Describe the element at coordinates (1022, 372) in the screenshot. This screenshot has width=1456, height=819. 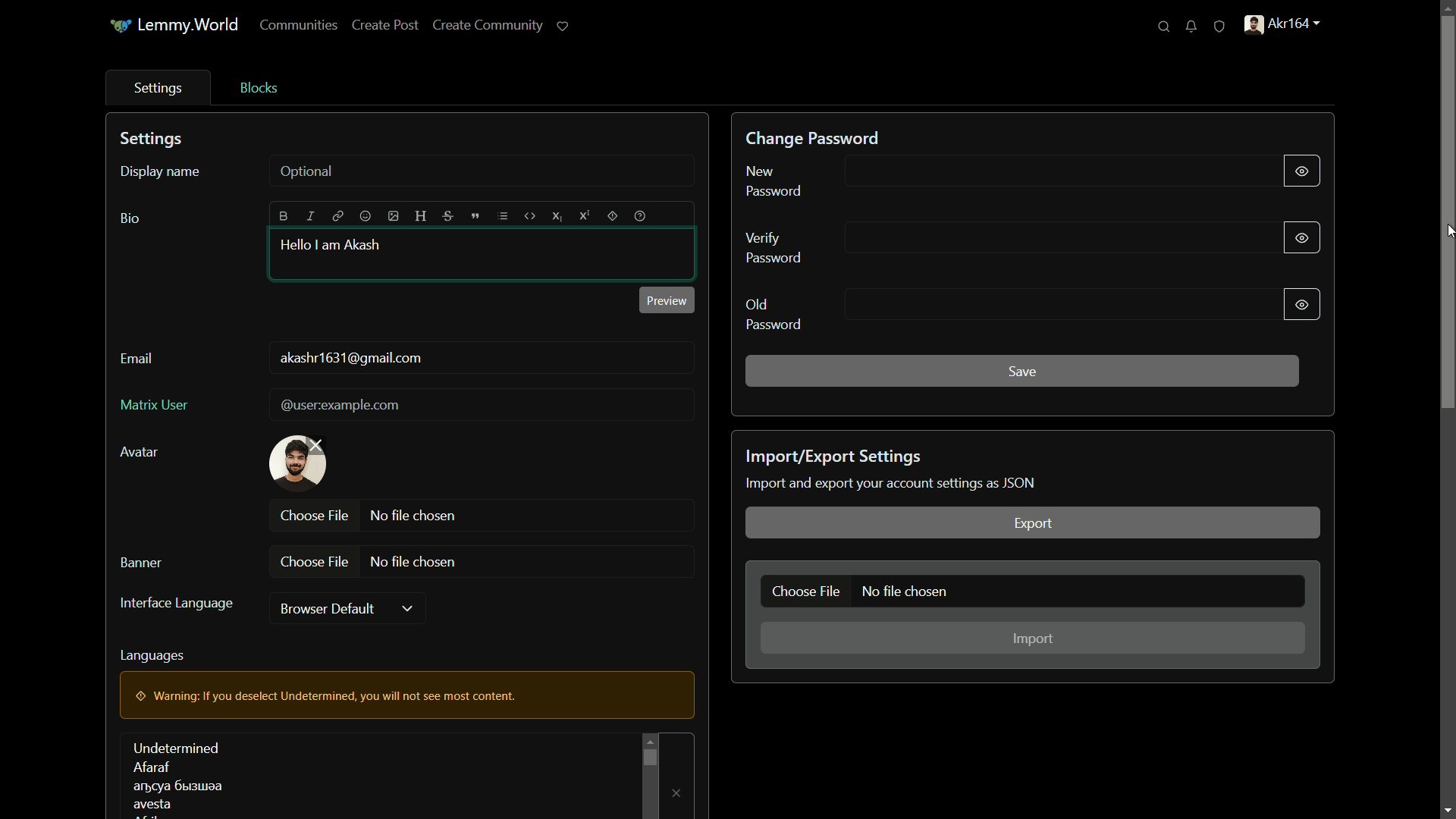
I see `save` at that location.